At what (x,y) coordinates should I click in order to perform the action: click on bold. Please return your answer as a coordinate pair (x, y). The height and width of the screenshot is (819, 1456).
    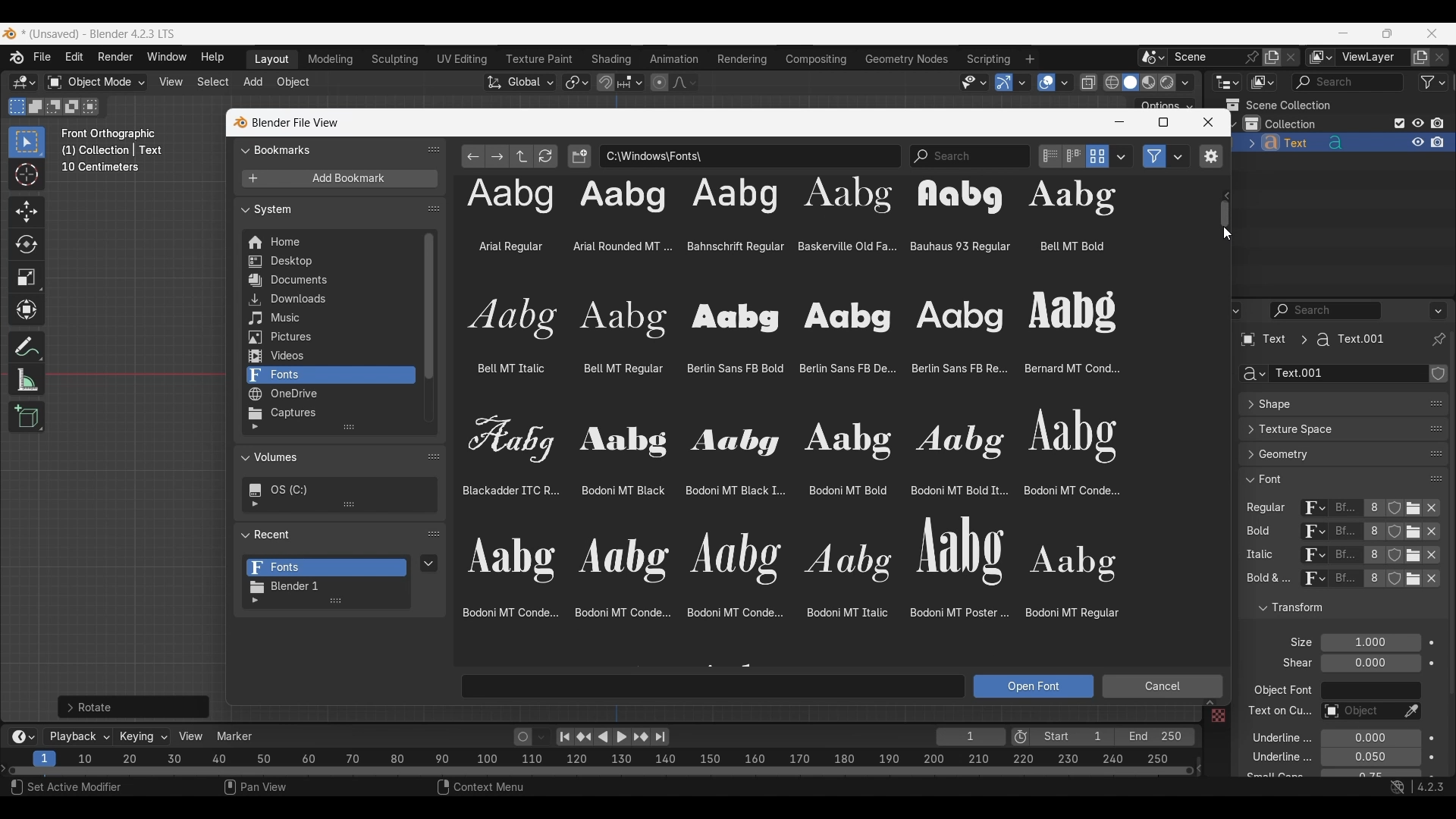
    Looking at the image, I should click on (1255, 534).